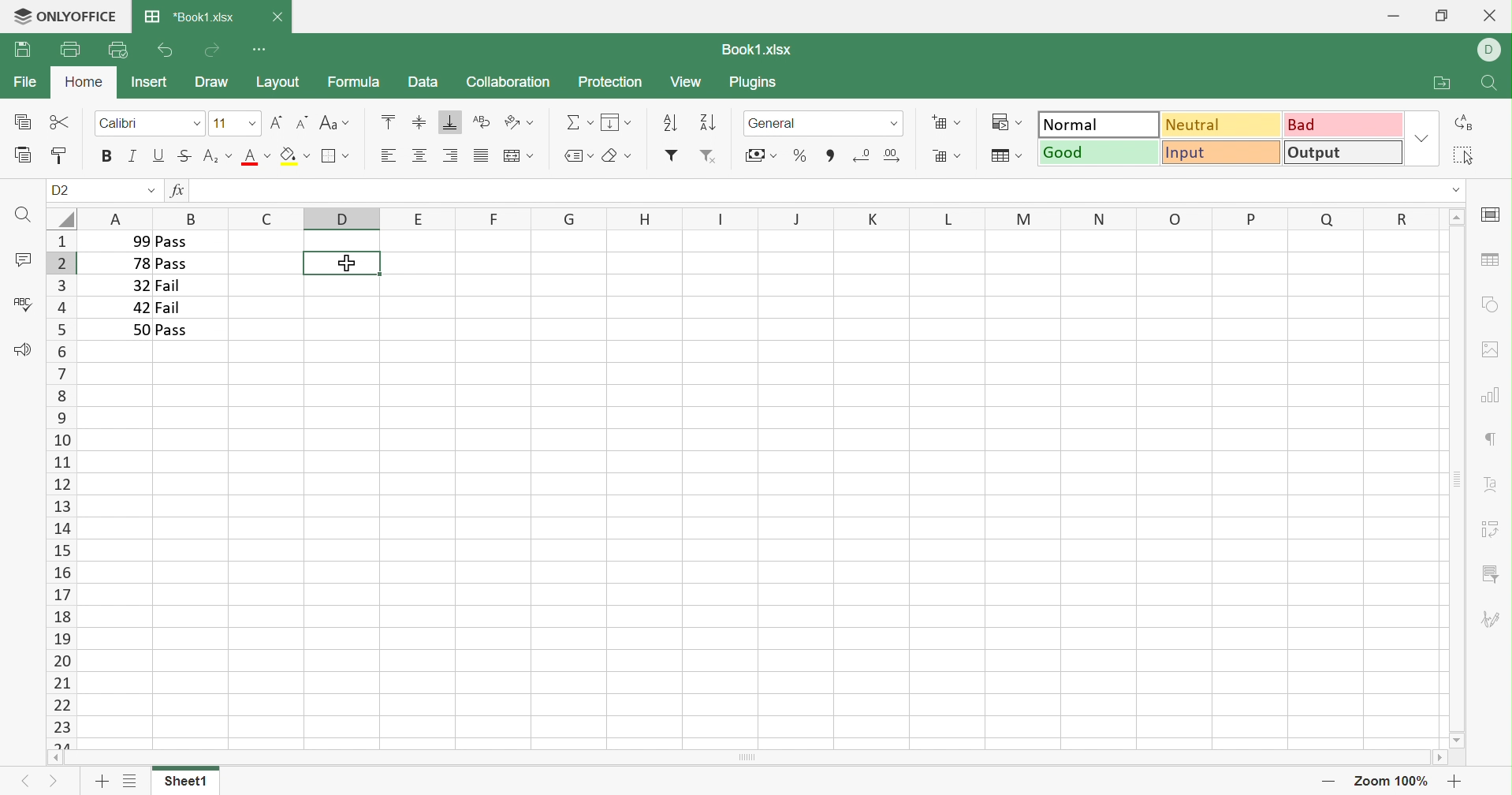 This screenshot has height=795, width=1512. What do you see at coordinates (1492, 51) in the screenshot?
I see `DELL` at bounding box center [1492, 51].